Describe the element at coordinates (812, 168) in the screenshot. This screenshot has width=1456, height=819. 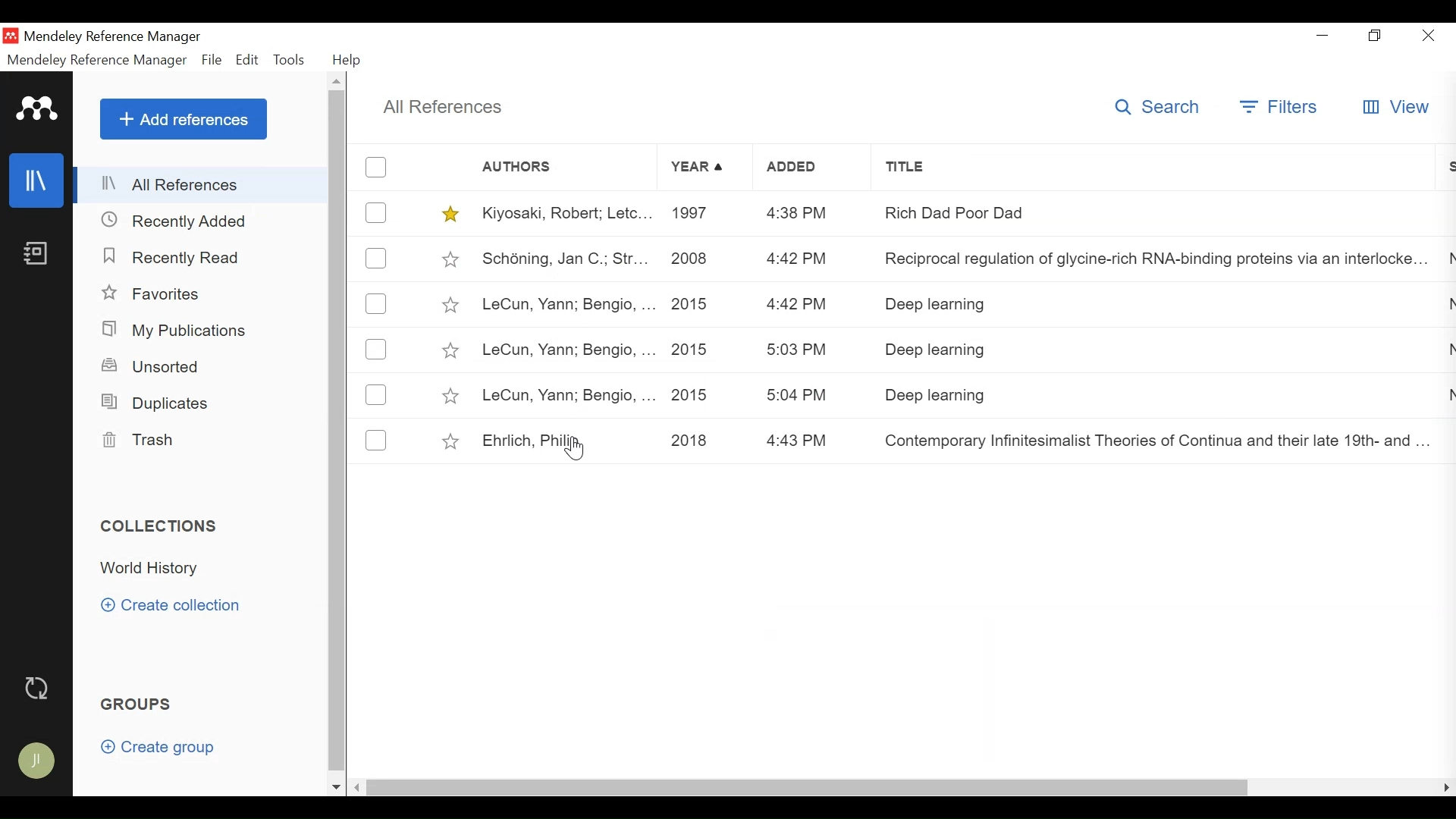
I see `Added` at that location.